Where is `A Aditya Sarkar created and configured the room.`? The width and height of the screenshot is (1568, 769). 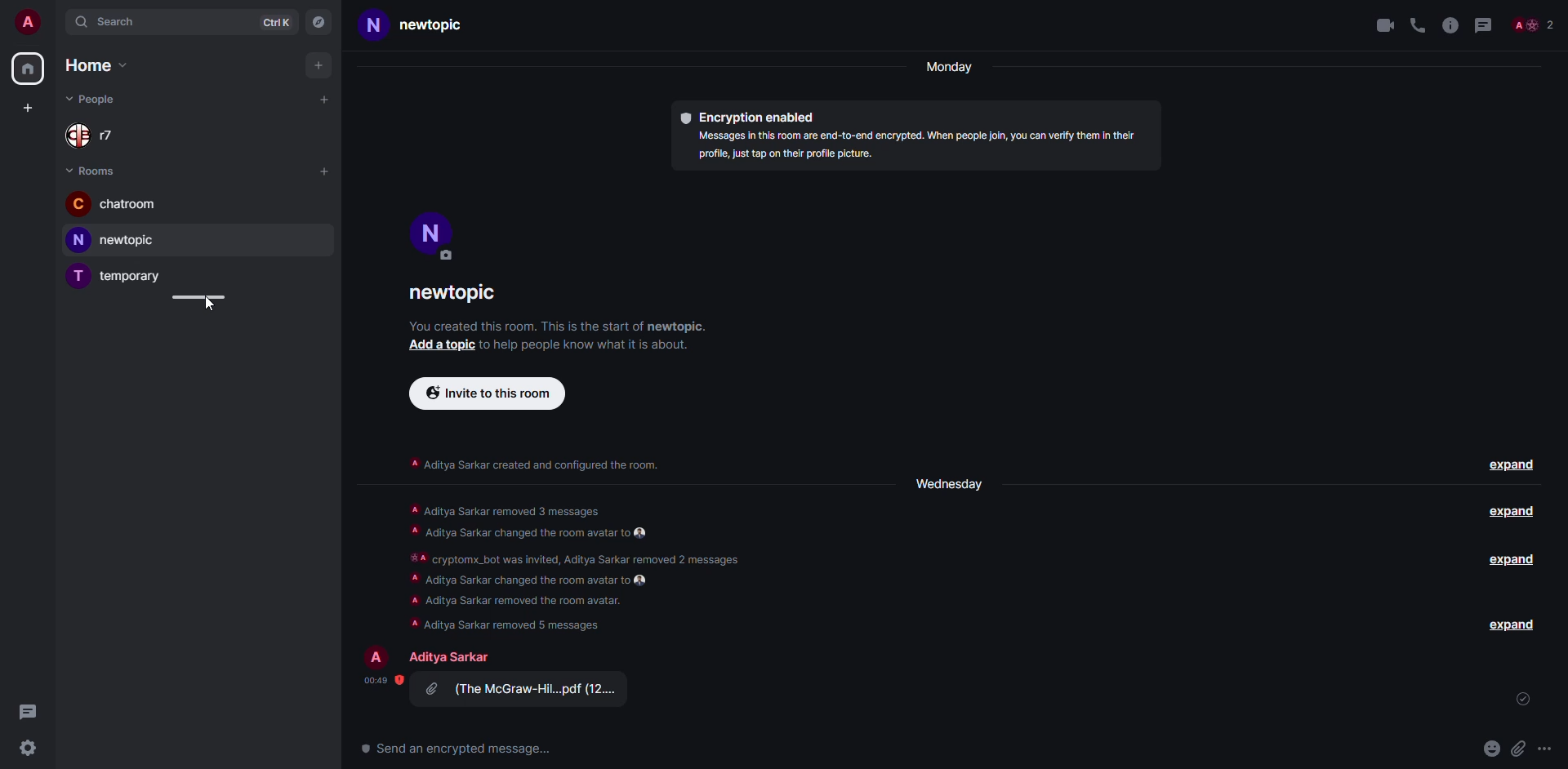
A Aditya Sarkar created and configured the room. is located at coordinates (532, 465).